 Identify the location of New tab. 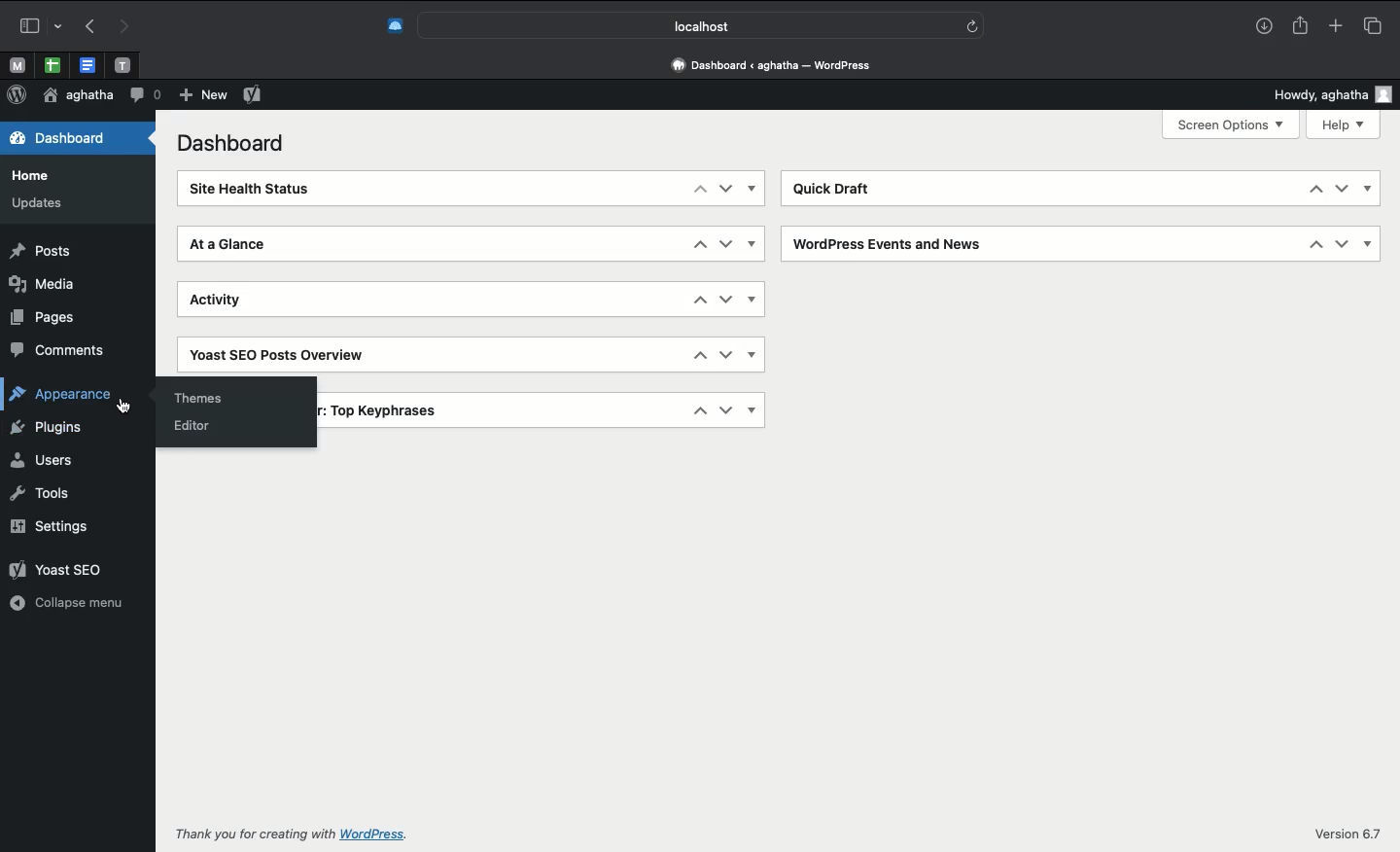
(1336, 27).